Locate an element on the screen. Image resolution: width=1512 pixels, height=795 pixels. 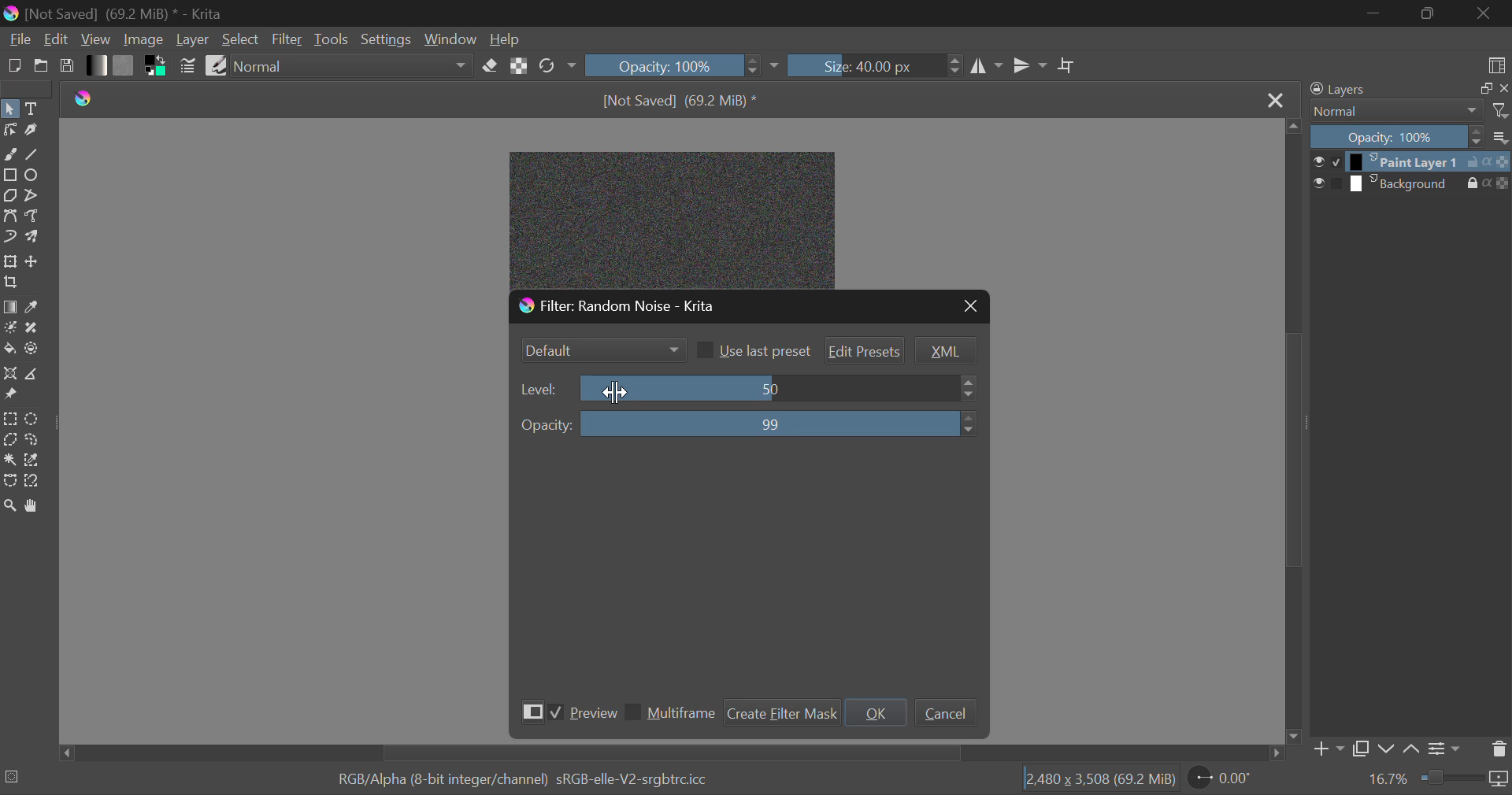
filter is located at coordinates (1501, 110).